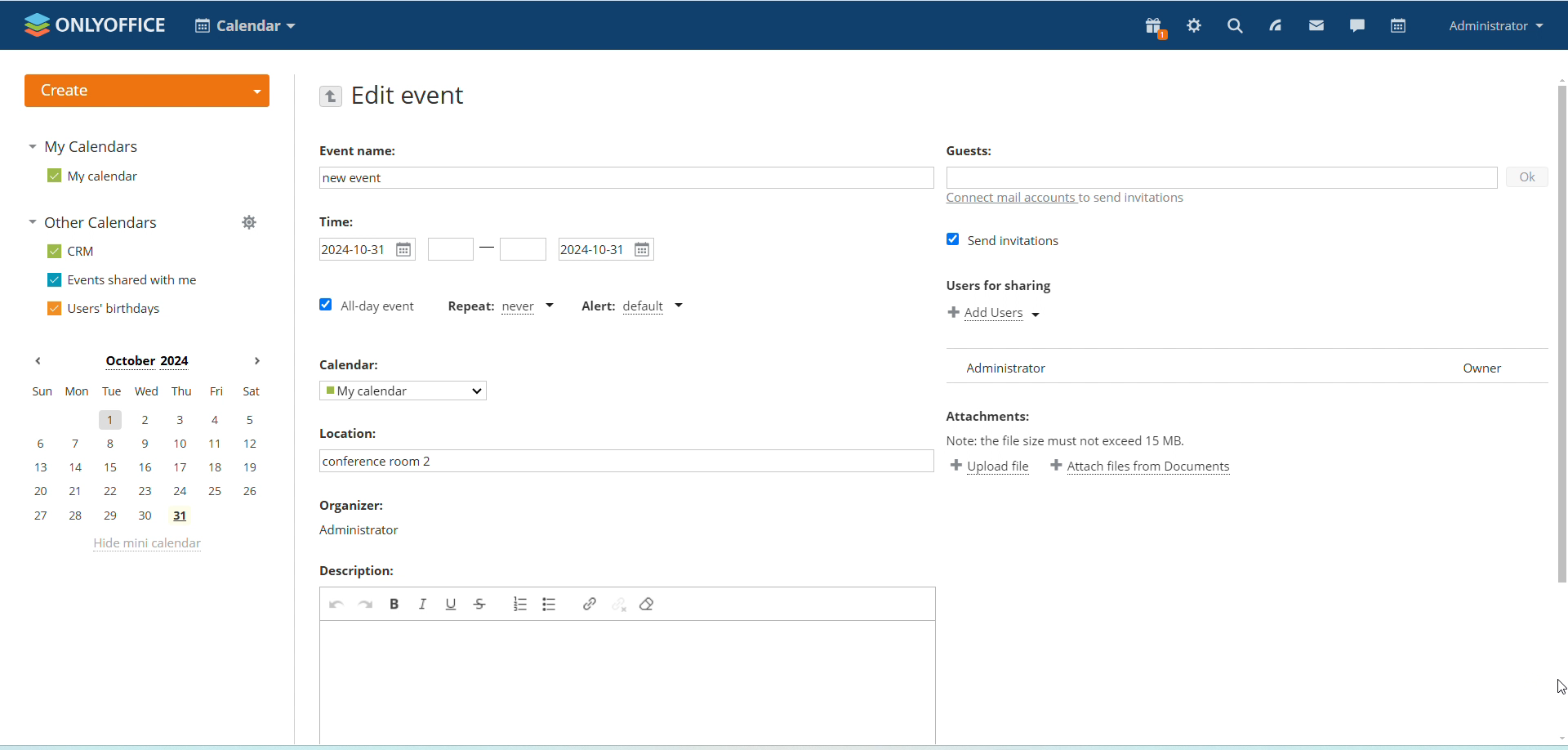 This screenshot has height=750, width=1568. Describe the element at coordinates (423, 603) in the screenshot. I see `italic` at that location.